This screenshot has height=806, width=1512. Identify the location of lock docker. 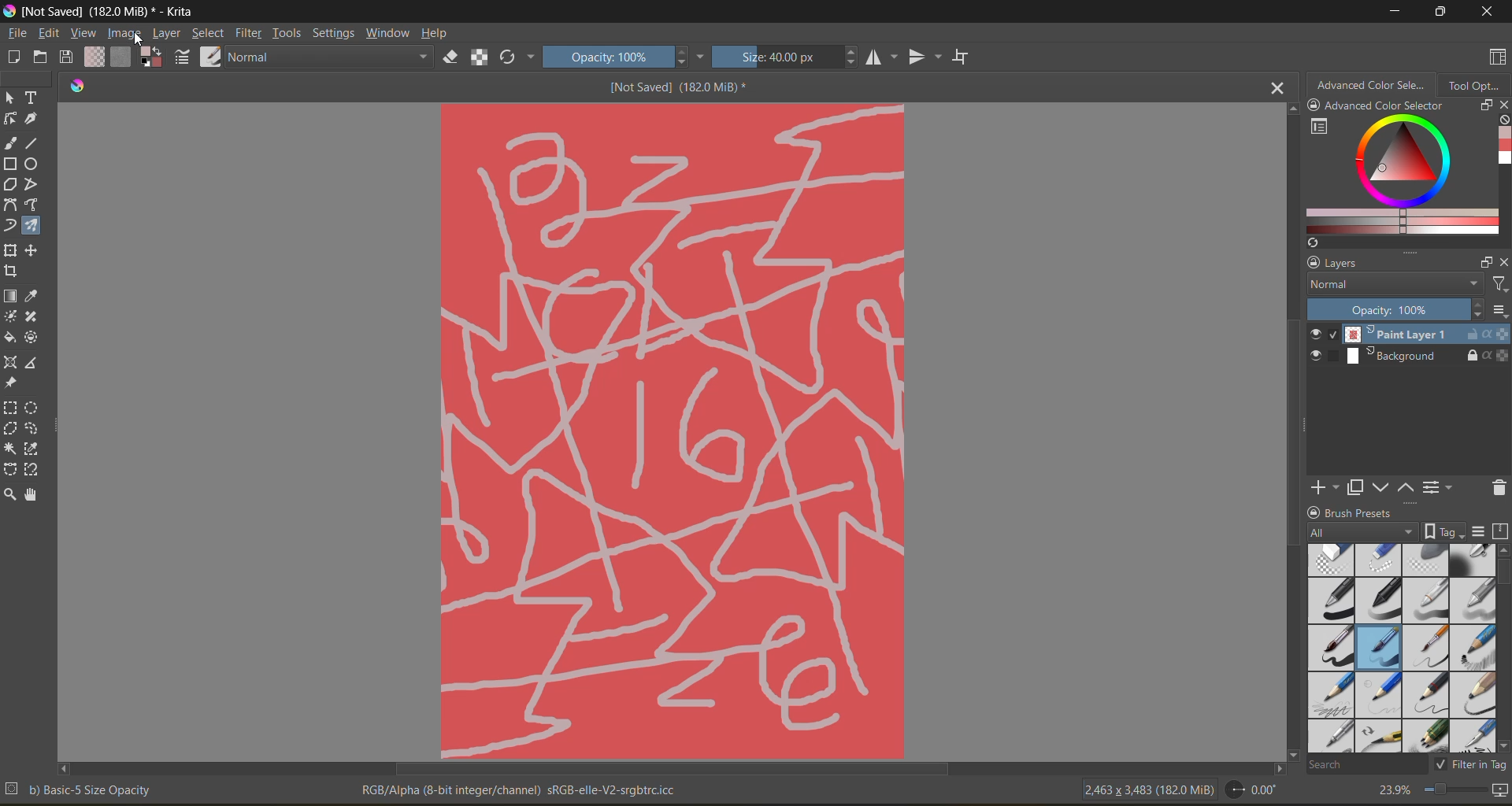
(1317, 512).